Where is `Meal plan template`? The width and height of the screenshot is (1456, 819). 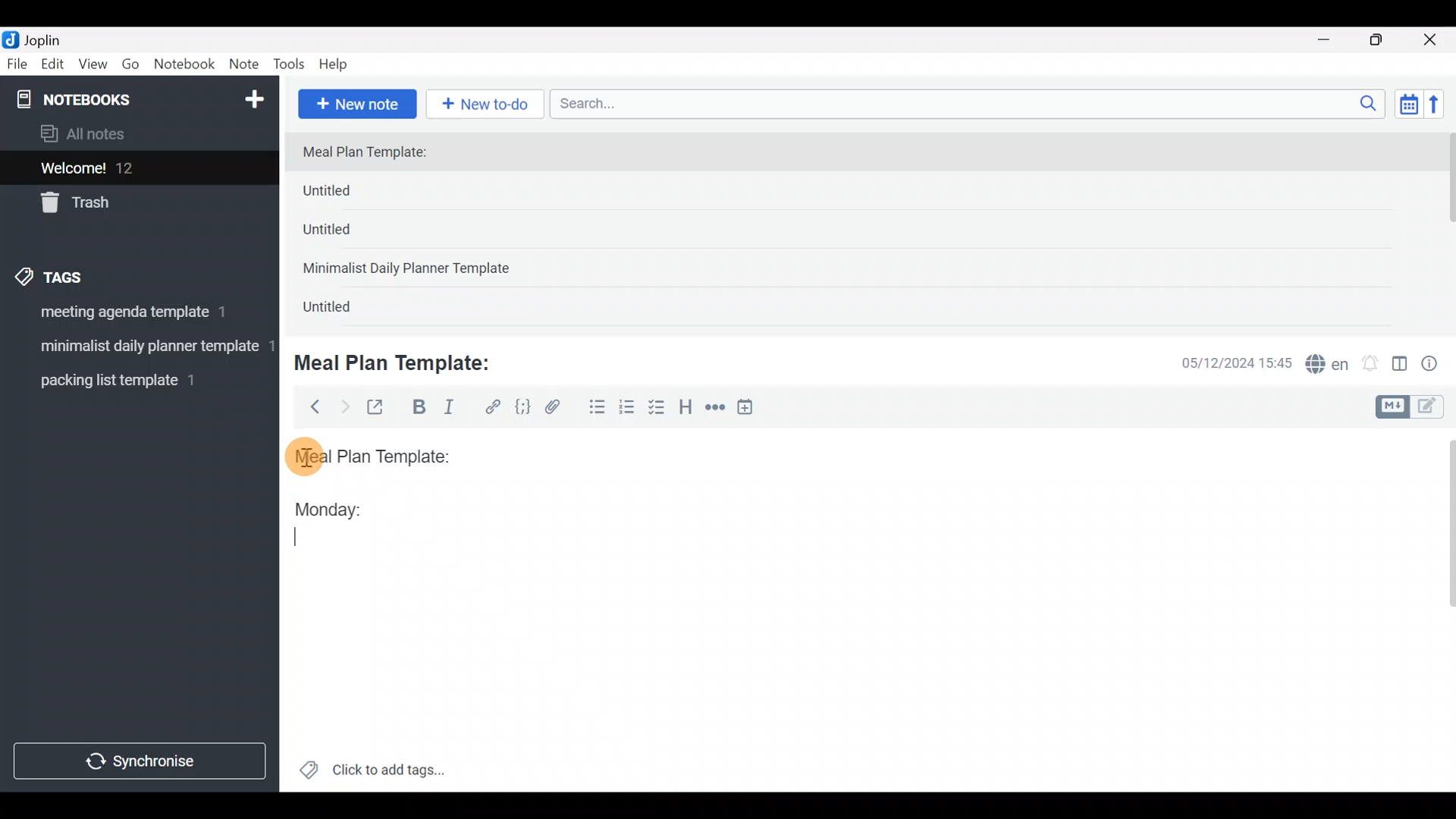
Meal plan template is located at coordinates (367, 454).